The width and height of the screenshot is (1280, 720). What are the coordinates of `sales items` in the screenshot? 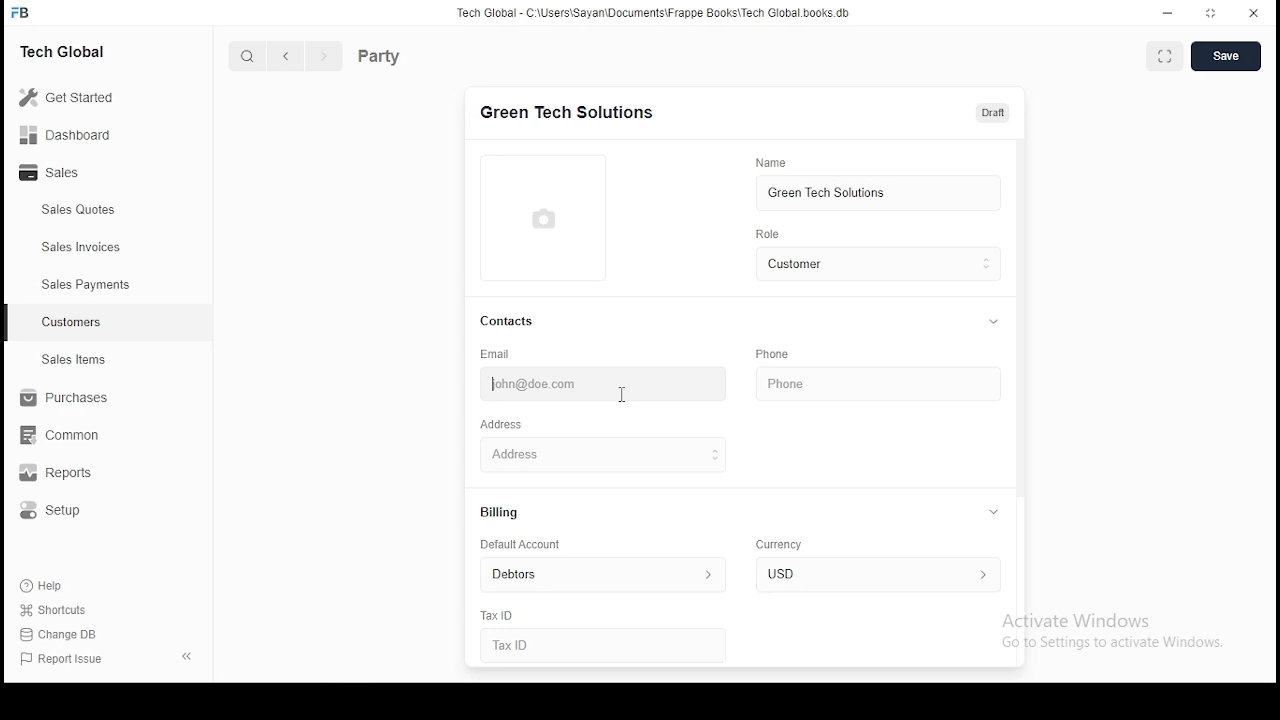 It's located at (72, 360).